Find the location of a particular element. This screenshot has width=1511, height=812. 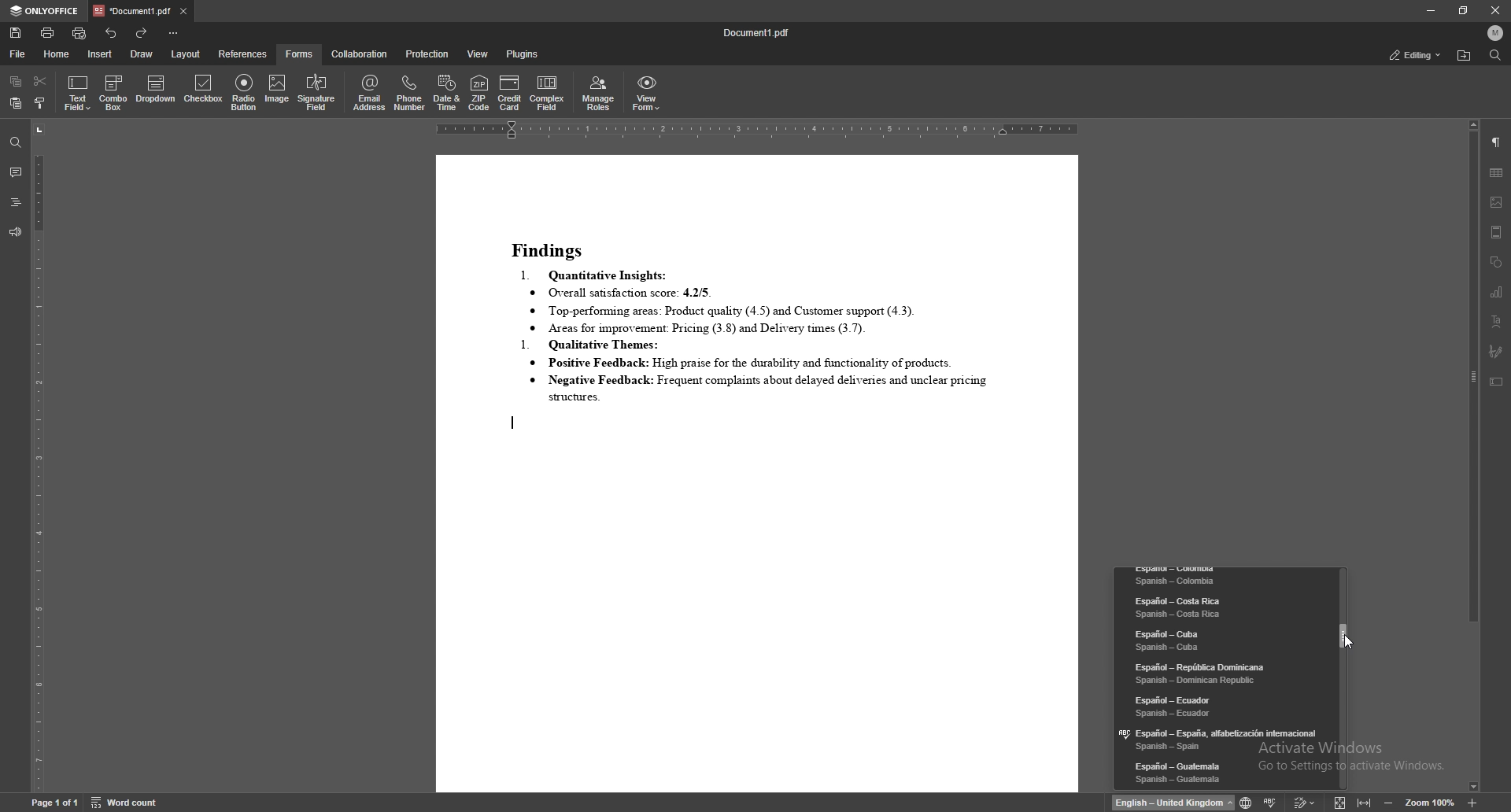

table is located at coordinates (1497, 172).